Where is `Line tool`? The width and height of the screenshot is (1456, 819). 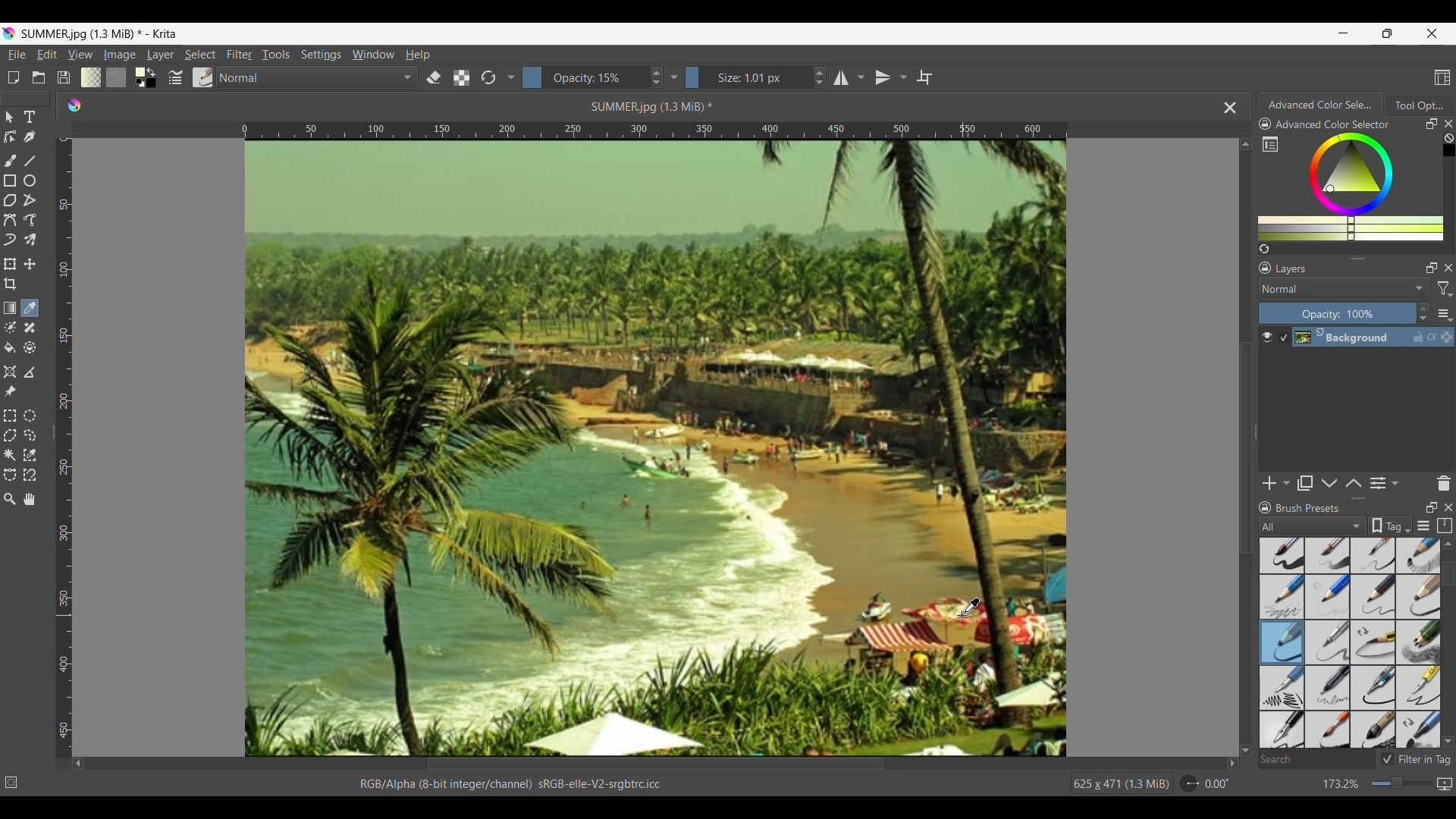
Line tool is located at coordinates (31, 161).